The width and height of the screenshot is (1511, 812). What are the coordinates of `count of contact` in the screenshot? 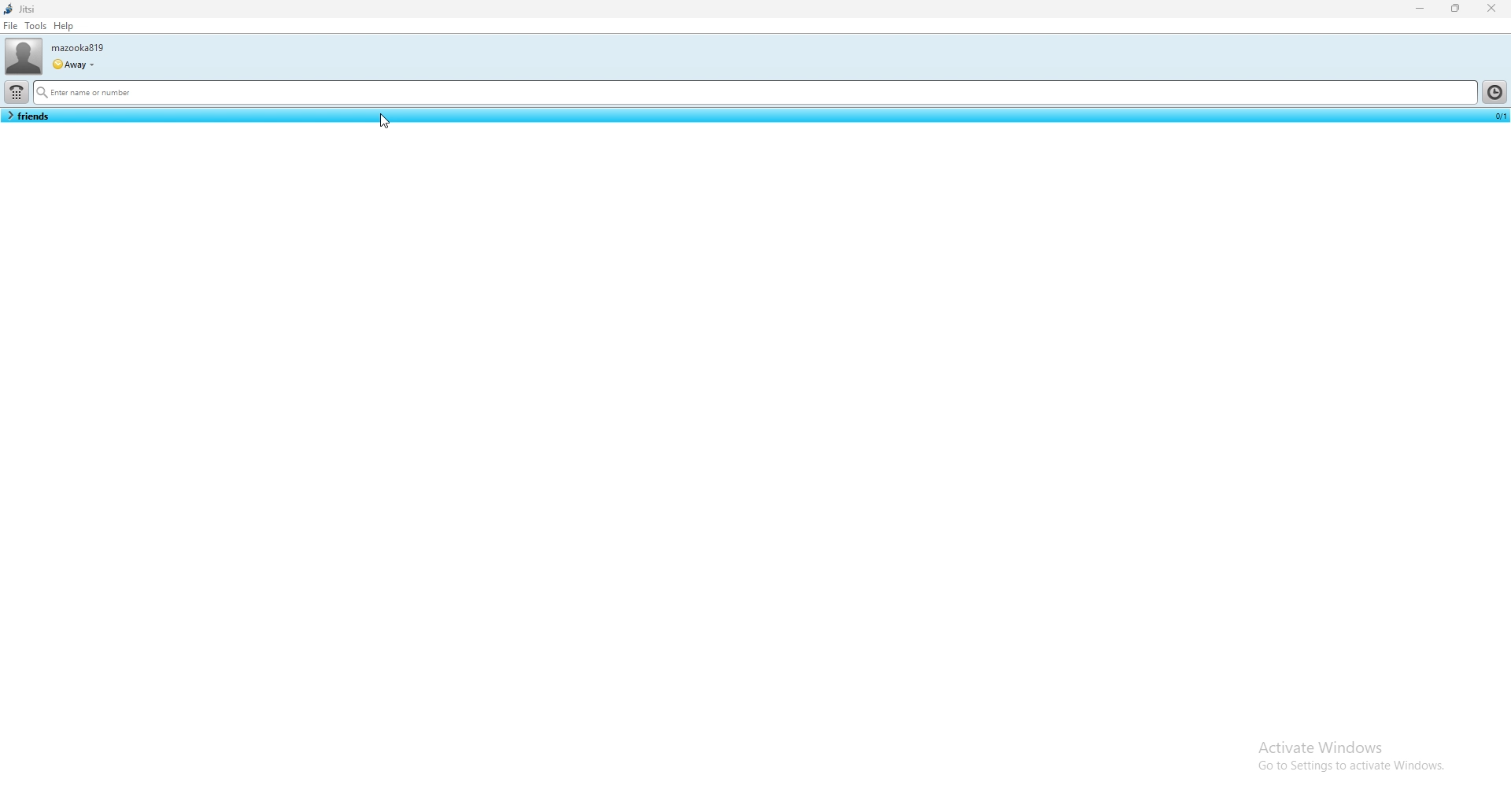 It's located at (1498, 116).